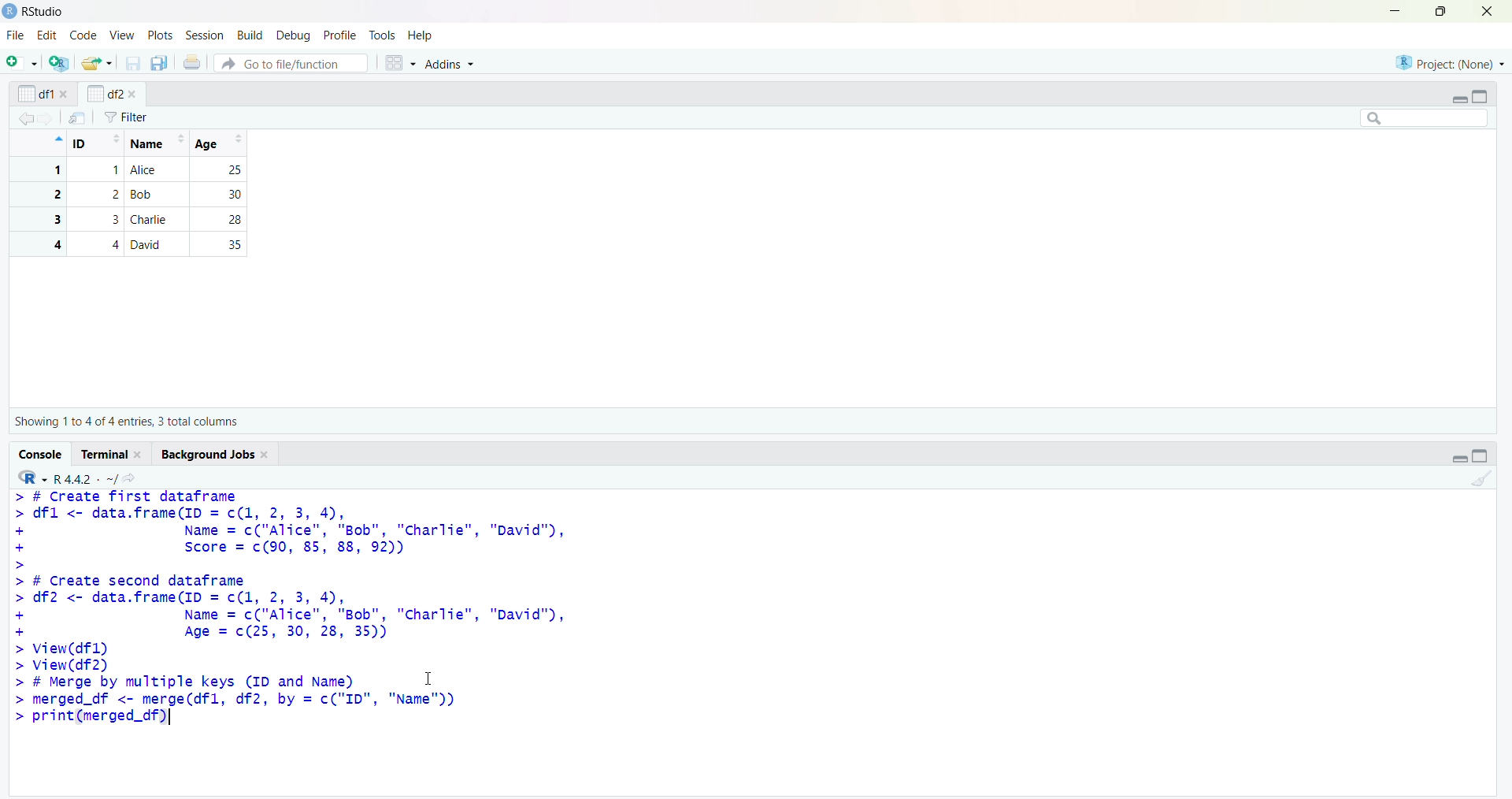  I want to click on toggle full view, so click(1480, 455).